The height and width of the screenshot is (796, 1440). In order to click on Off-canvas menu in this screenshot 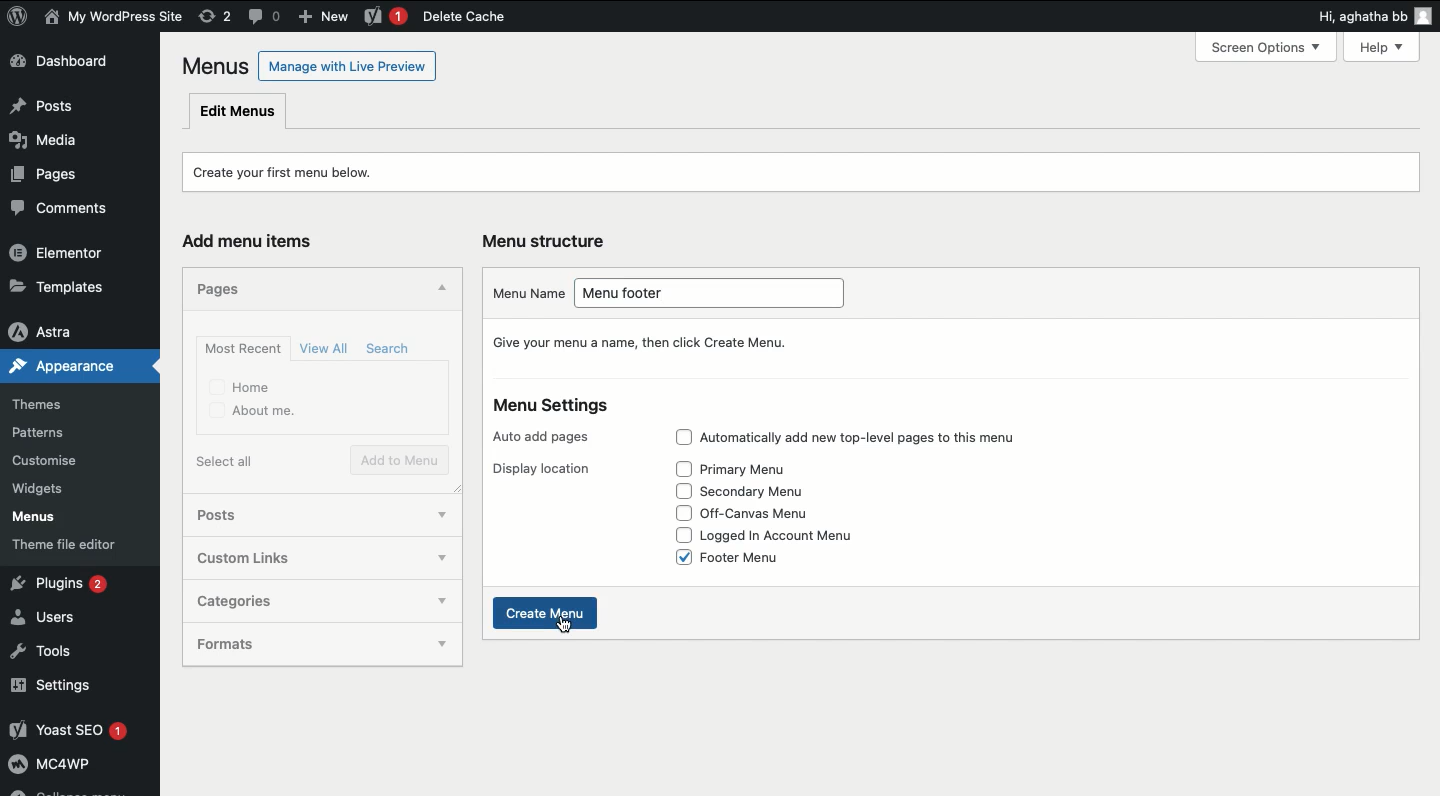, I will do `click(769, 512)`.